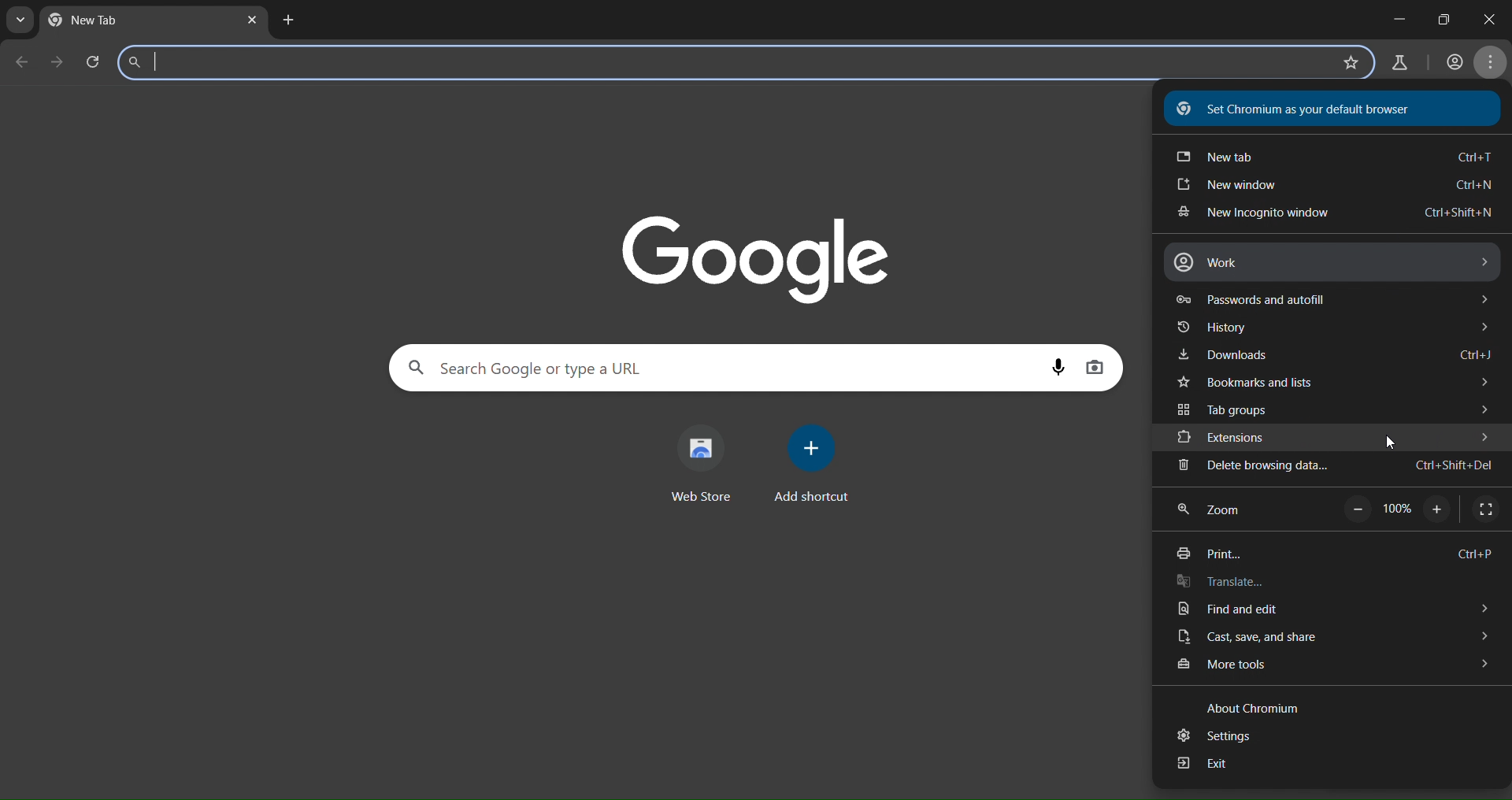  I want to click on zoom in, so click(1435, 509).